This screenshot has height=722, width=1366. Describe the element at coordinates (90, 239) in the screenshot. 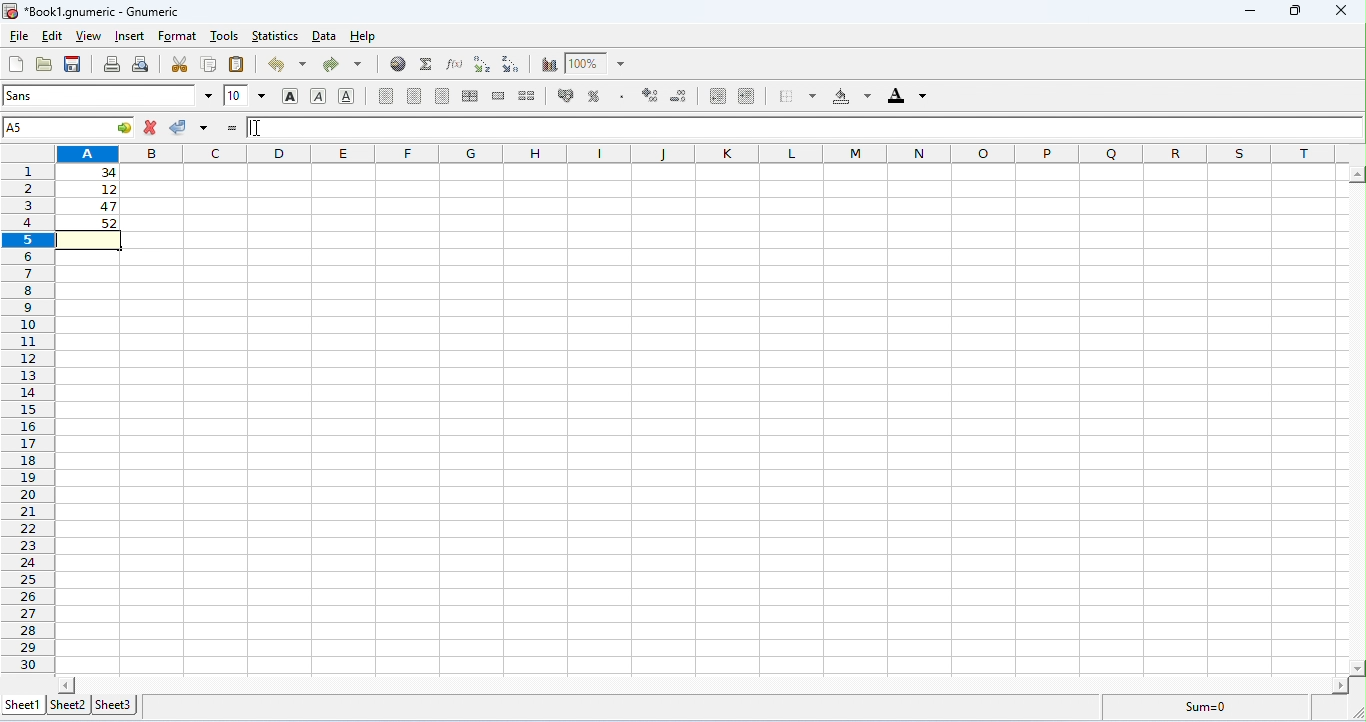

I see `color change in selected cell` at that location.